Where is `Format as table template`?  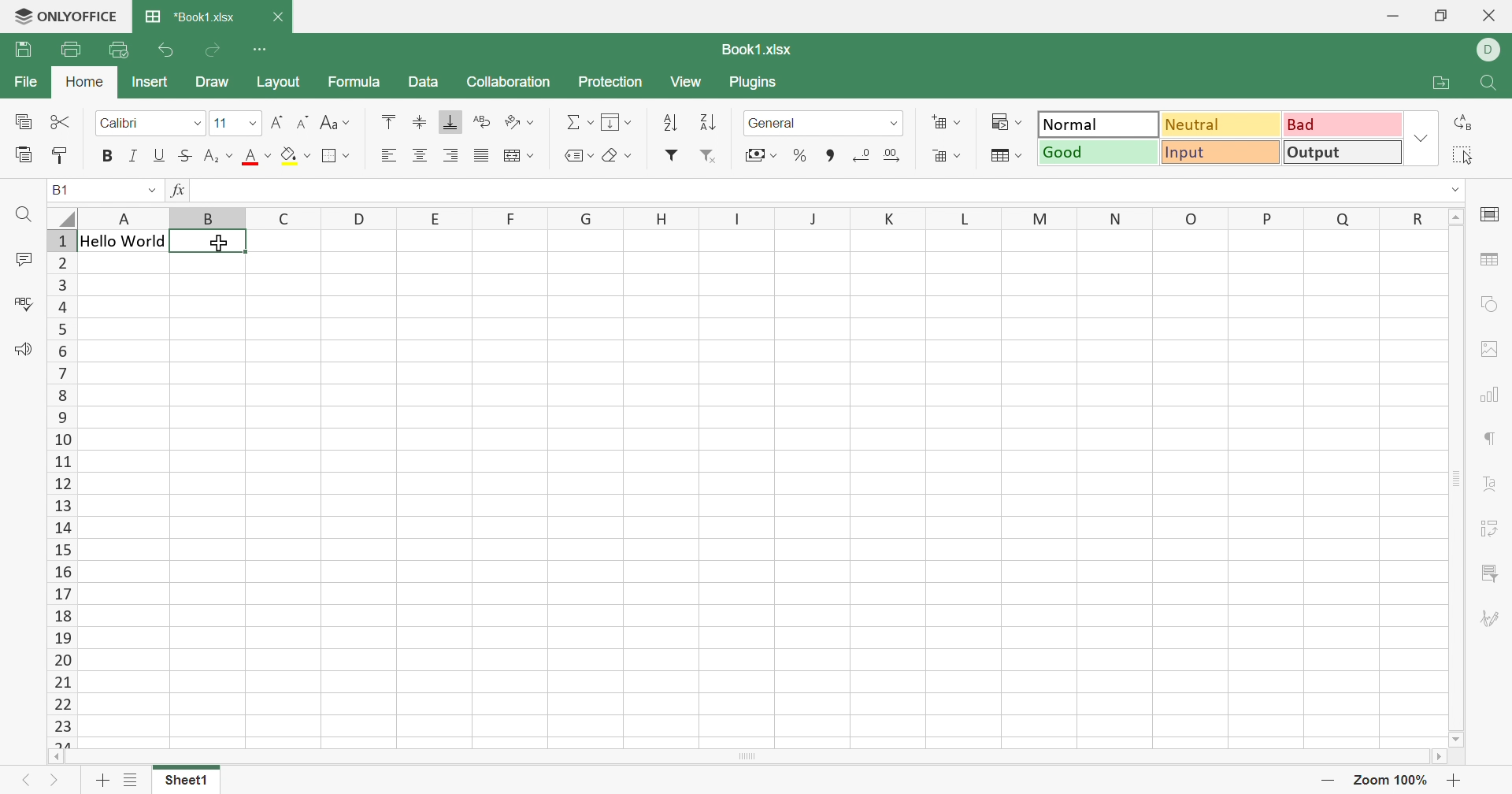
Format as table template is located at coordinates (1006, 157).